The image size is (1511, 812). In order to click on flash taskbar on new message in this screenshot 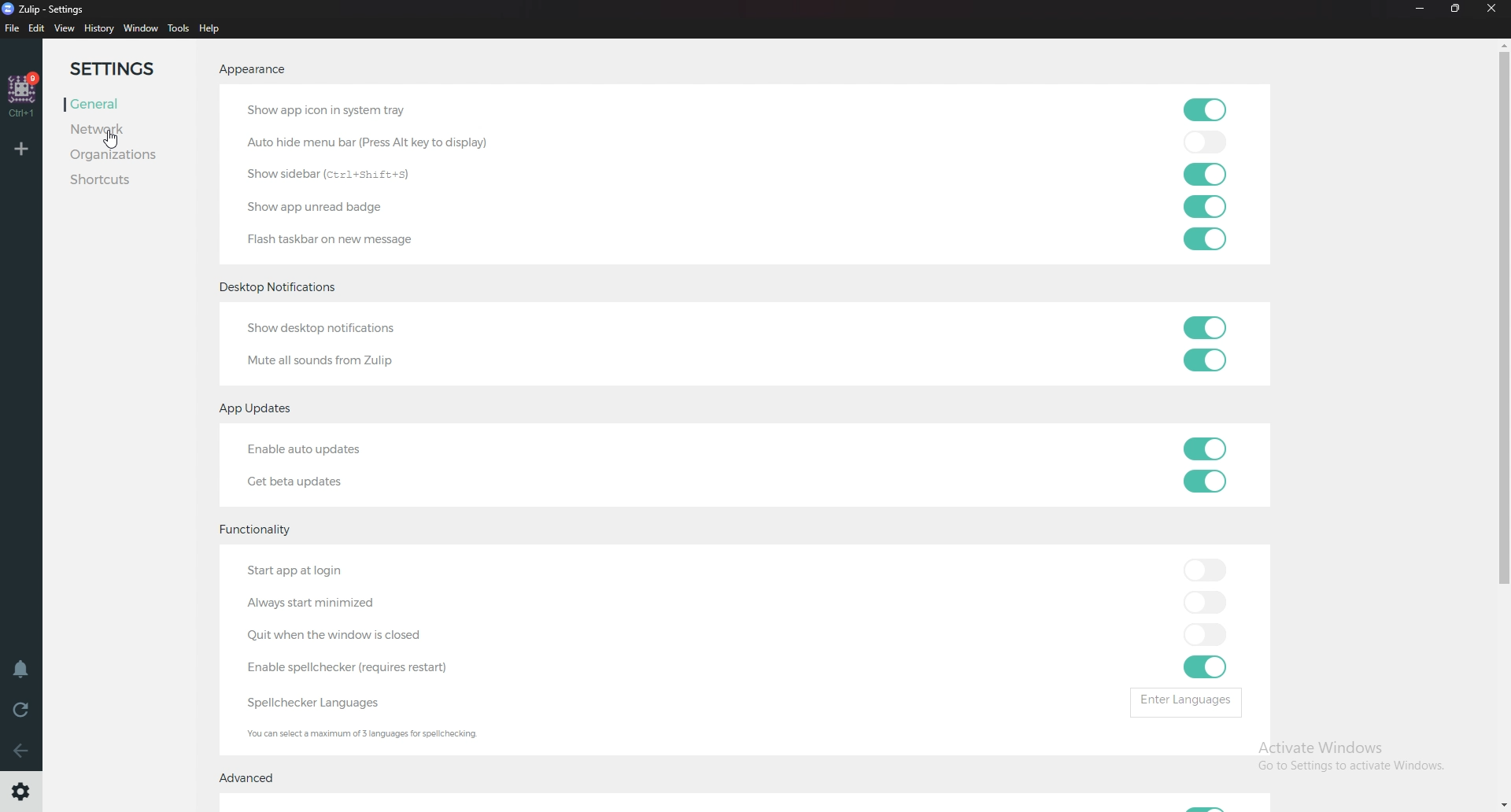, I will do `click(342, 239)`.